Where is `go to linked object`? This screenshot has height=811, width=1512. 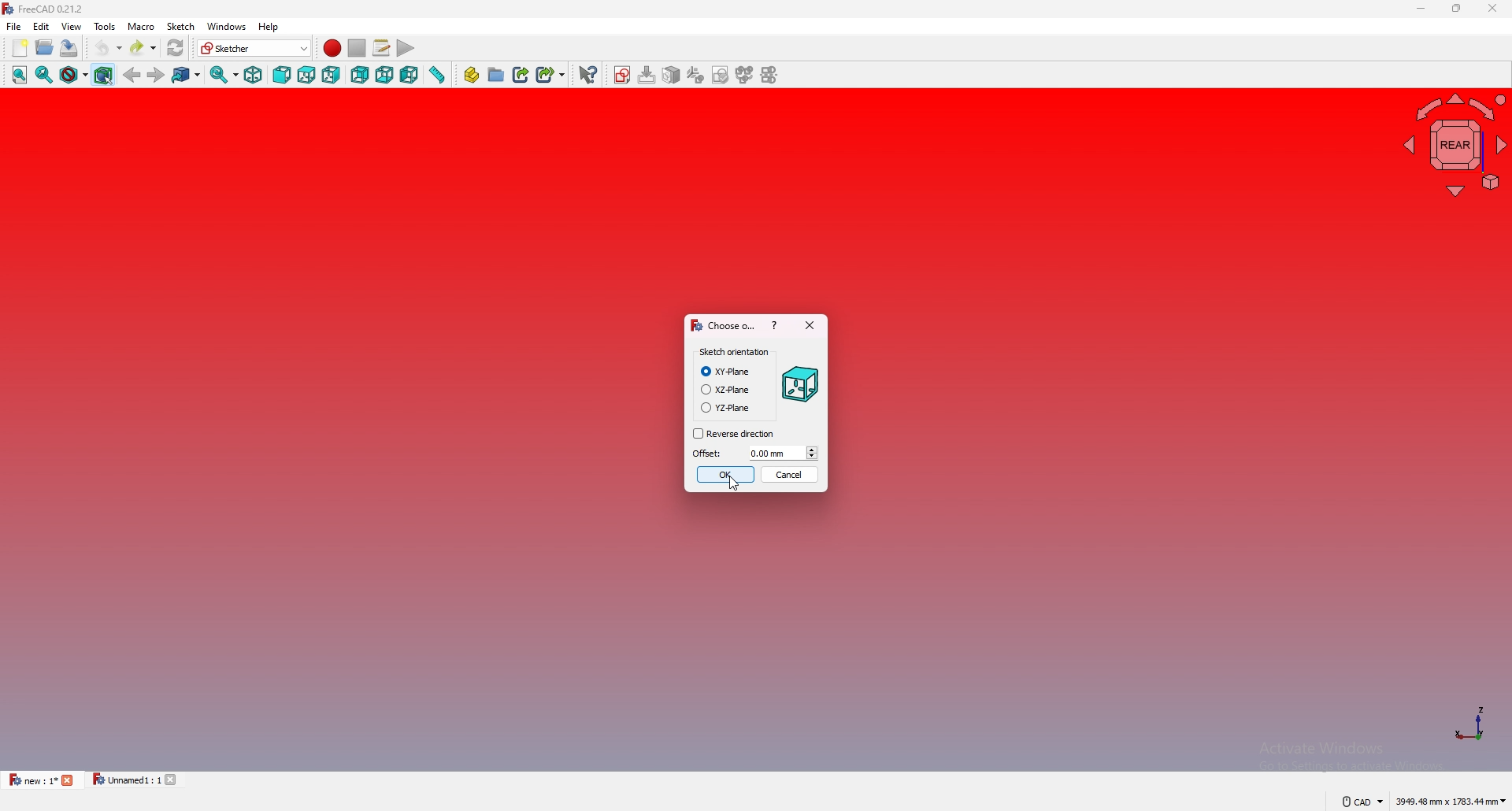
go to linked object is located at coordinates (187, 74).